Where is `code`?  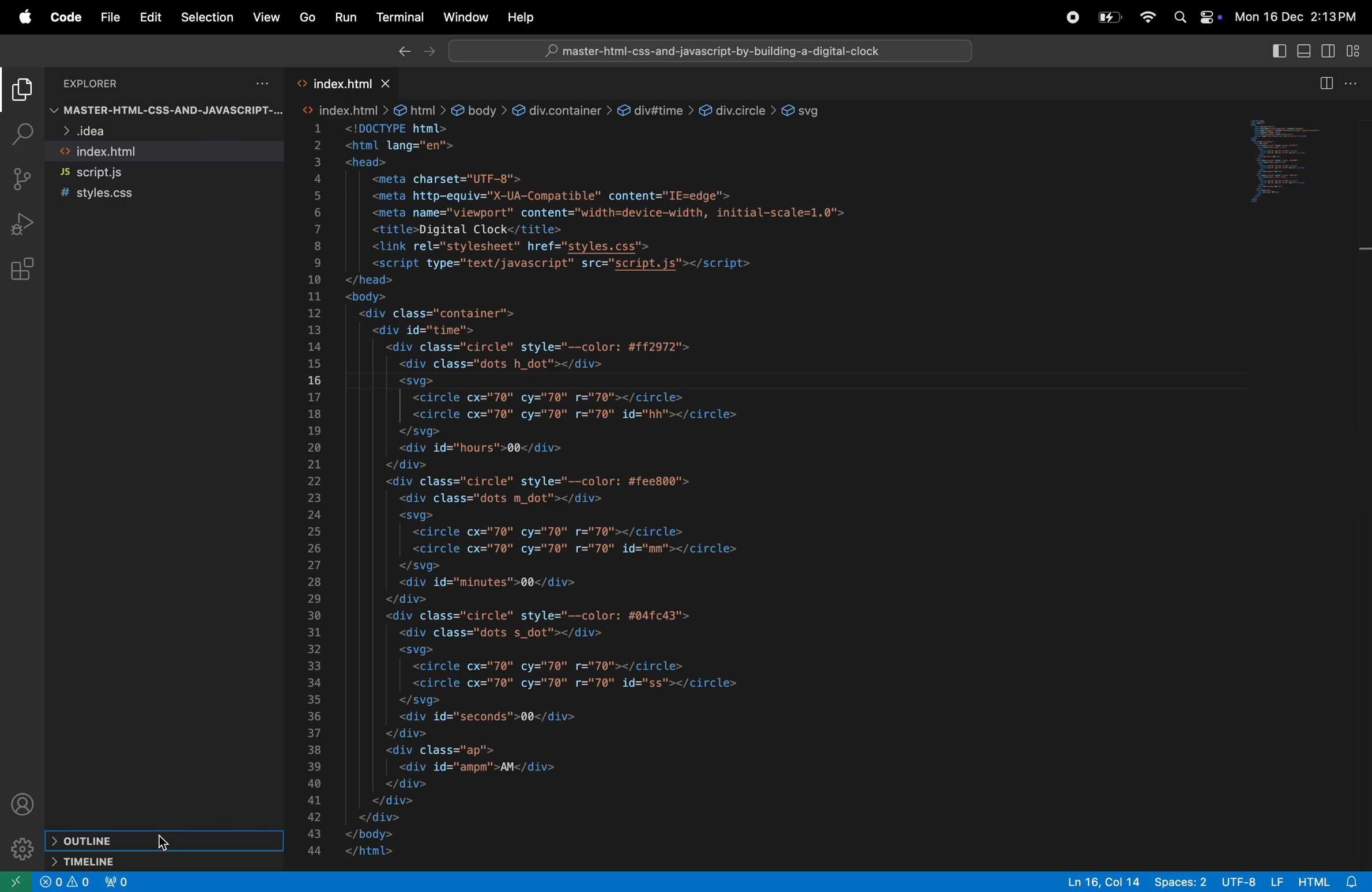
code is located at coordinates (63, 18).